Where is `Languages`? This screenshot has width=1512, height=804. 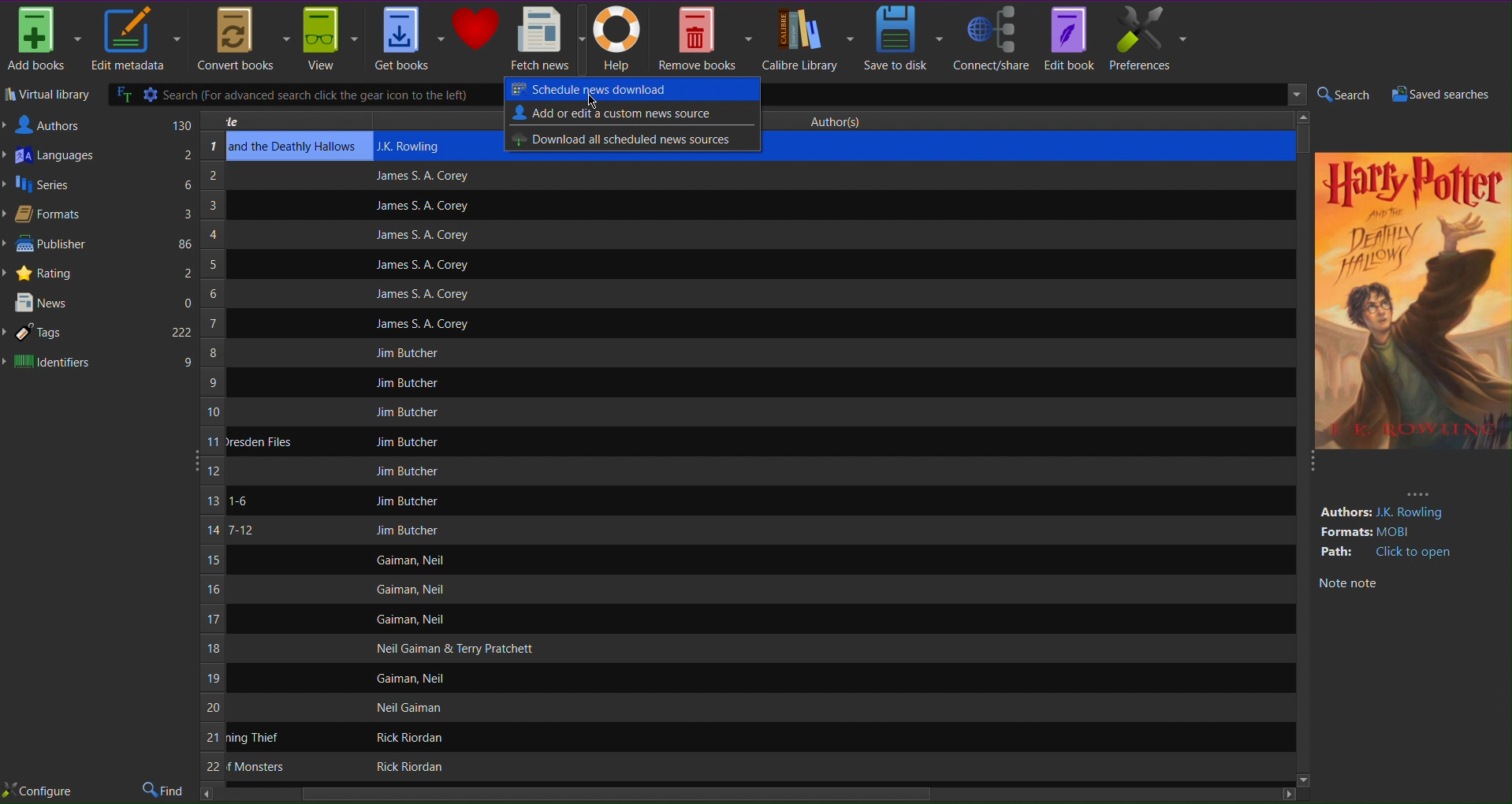 Languages is located at coordinates (99, 155).